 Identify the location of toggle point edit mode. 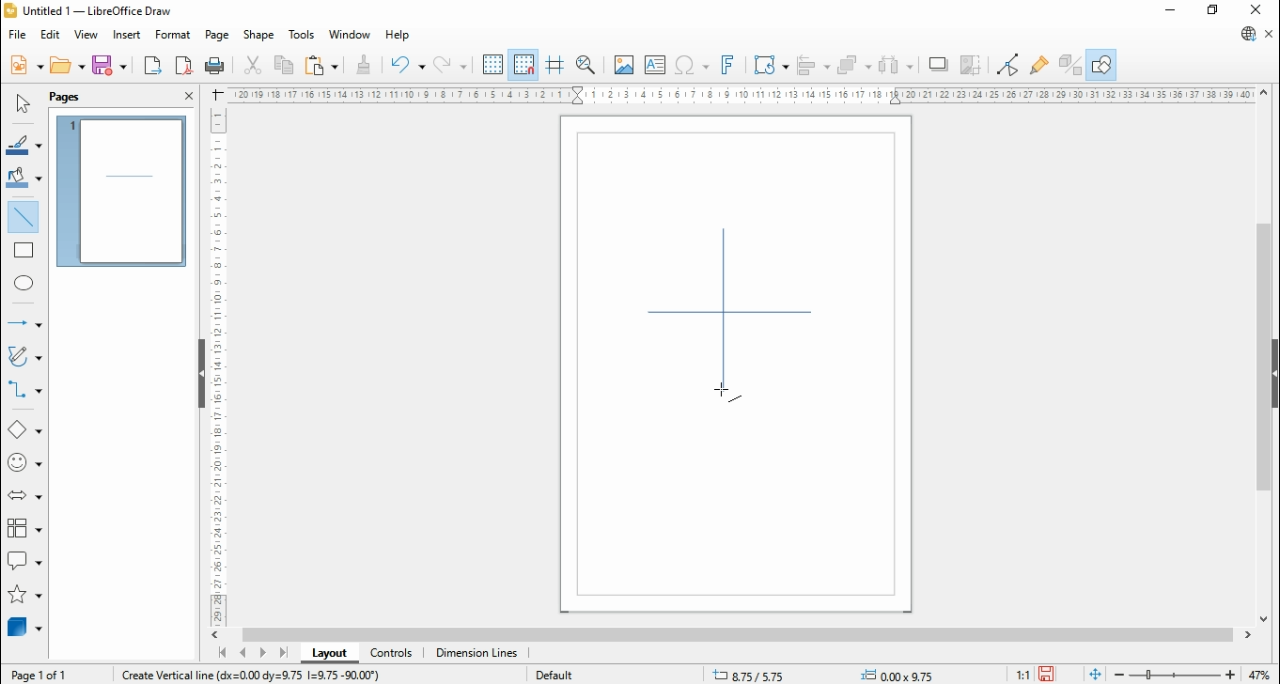
(1008, 63).